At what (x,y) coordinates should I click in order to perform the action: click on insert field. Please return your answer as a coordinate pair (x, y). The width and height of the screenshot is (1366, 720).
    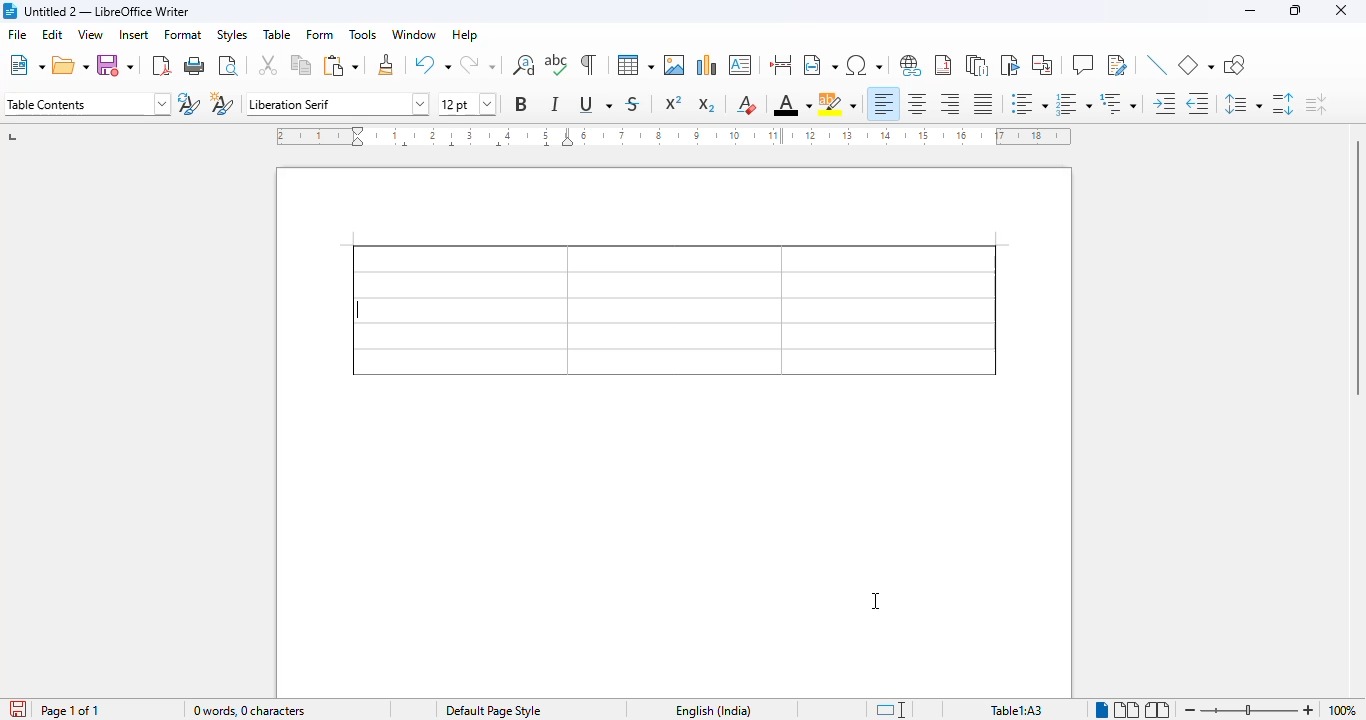
    Looking at the image, I should click on (820, 64).